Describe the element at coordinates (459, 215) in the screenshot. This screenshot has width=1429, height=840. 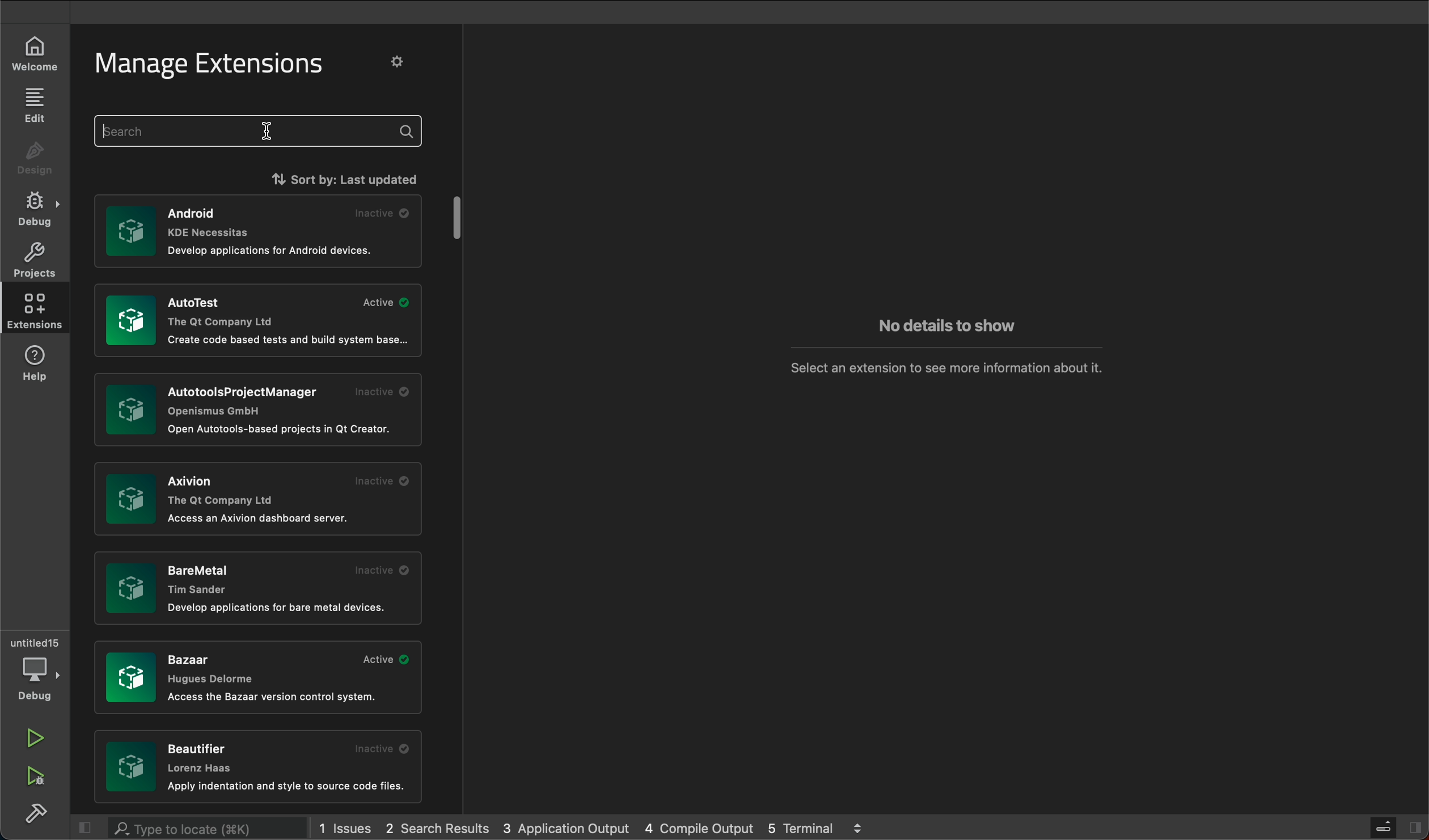
I see `scrollbar` at that location.